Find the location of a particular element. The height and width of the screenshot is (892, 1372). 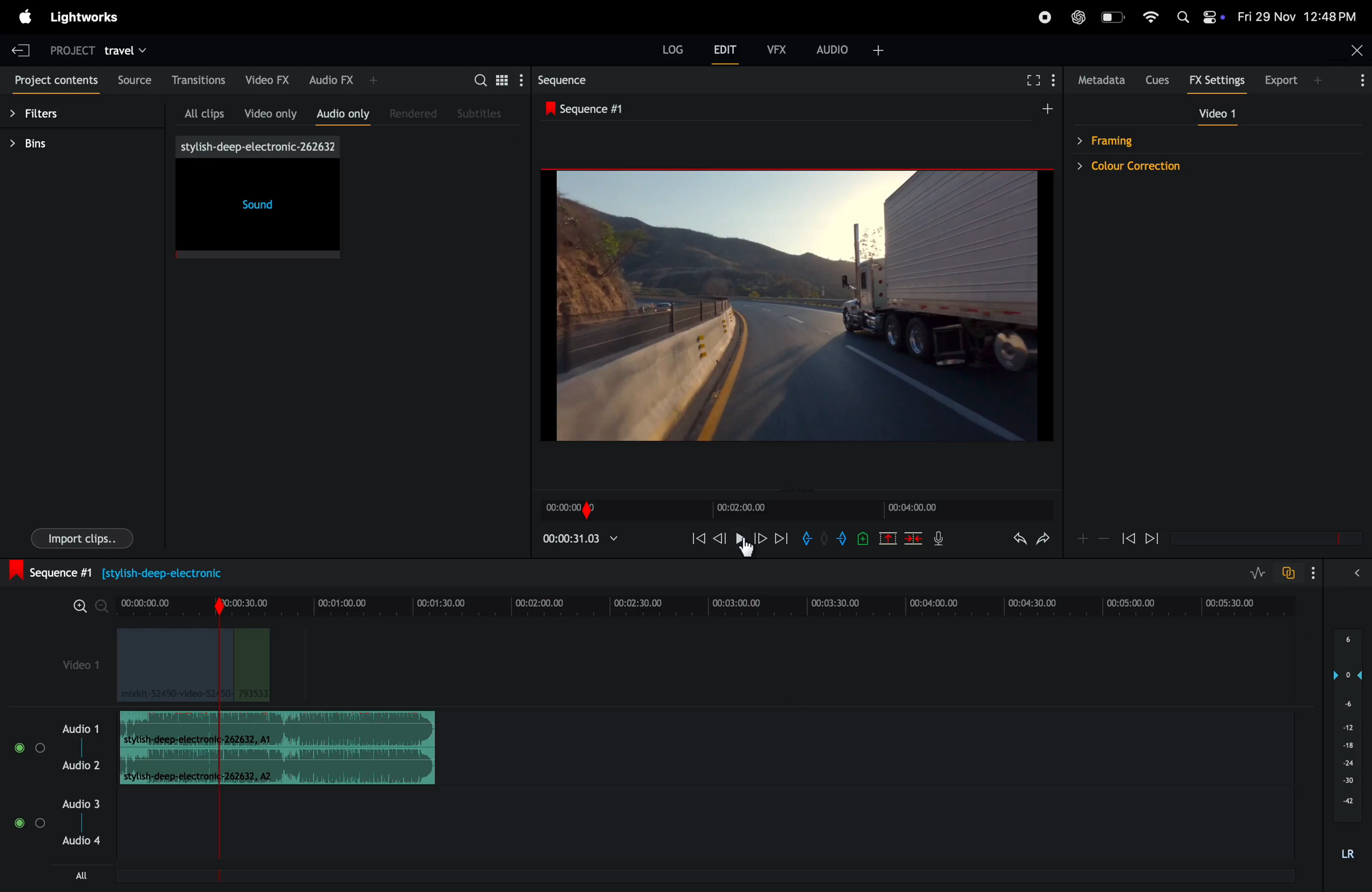

sequence is located at coordinates (597, 80).